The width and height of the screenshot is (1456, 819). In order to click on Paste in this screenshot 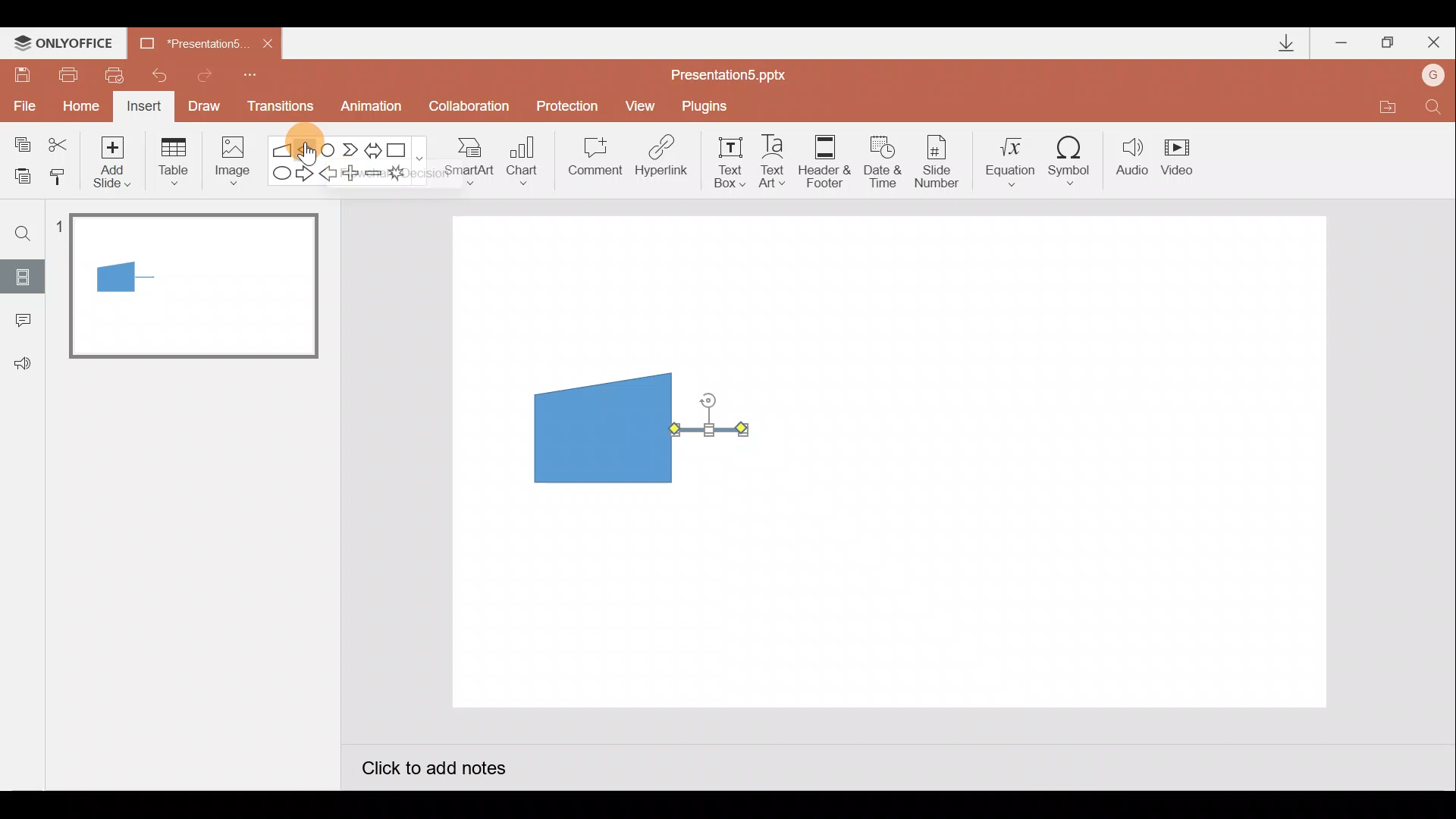, I will do `click(18, 174)`.